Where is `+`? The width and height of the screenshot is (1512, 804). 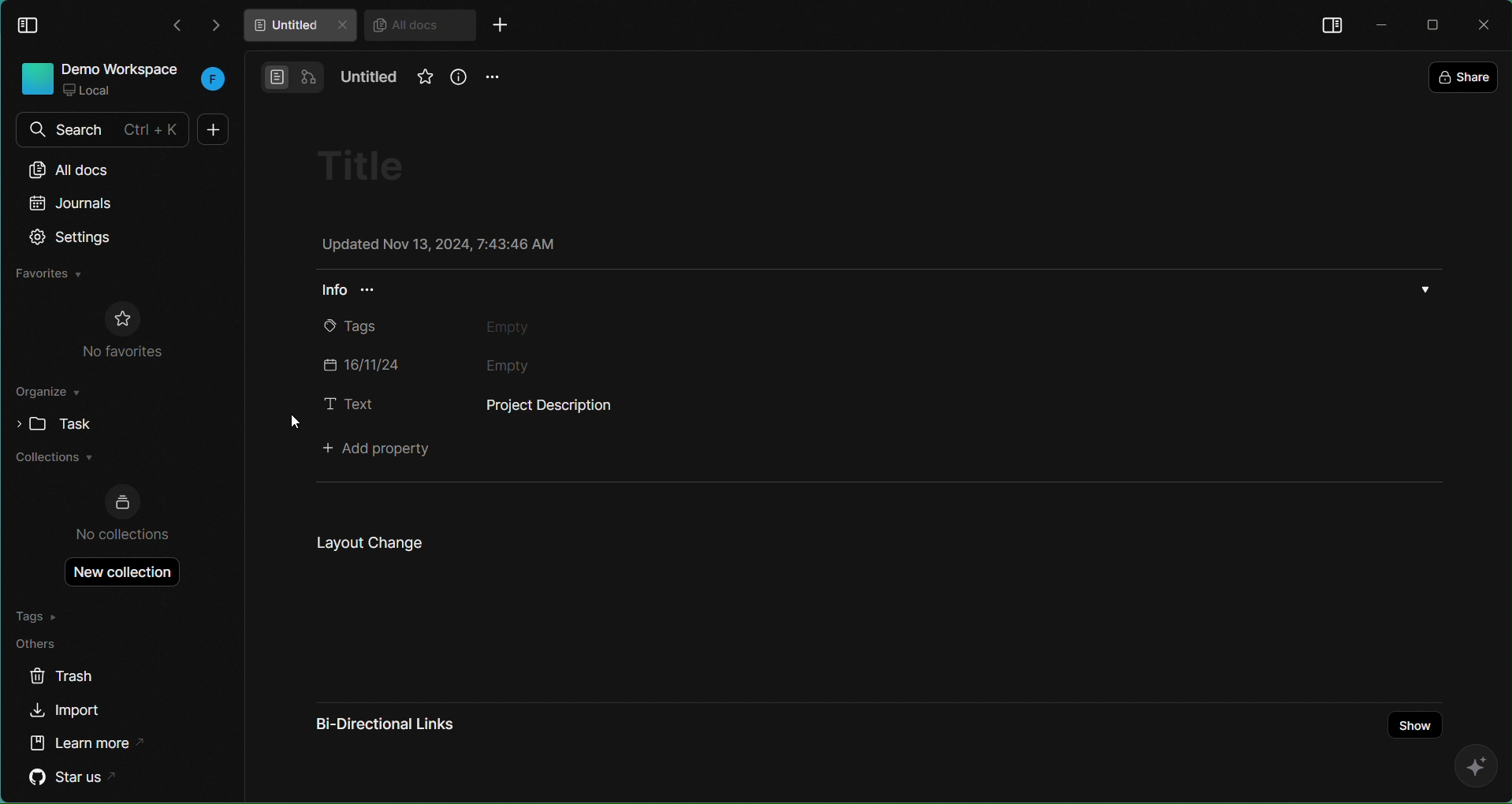
+ is located at coordinates (507, 27).